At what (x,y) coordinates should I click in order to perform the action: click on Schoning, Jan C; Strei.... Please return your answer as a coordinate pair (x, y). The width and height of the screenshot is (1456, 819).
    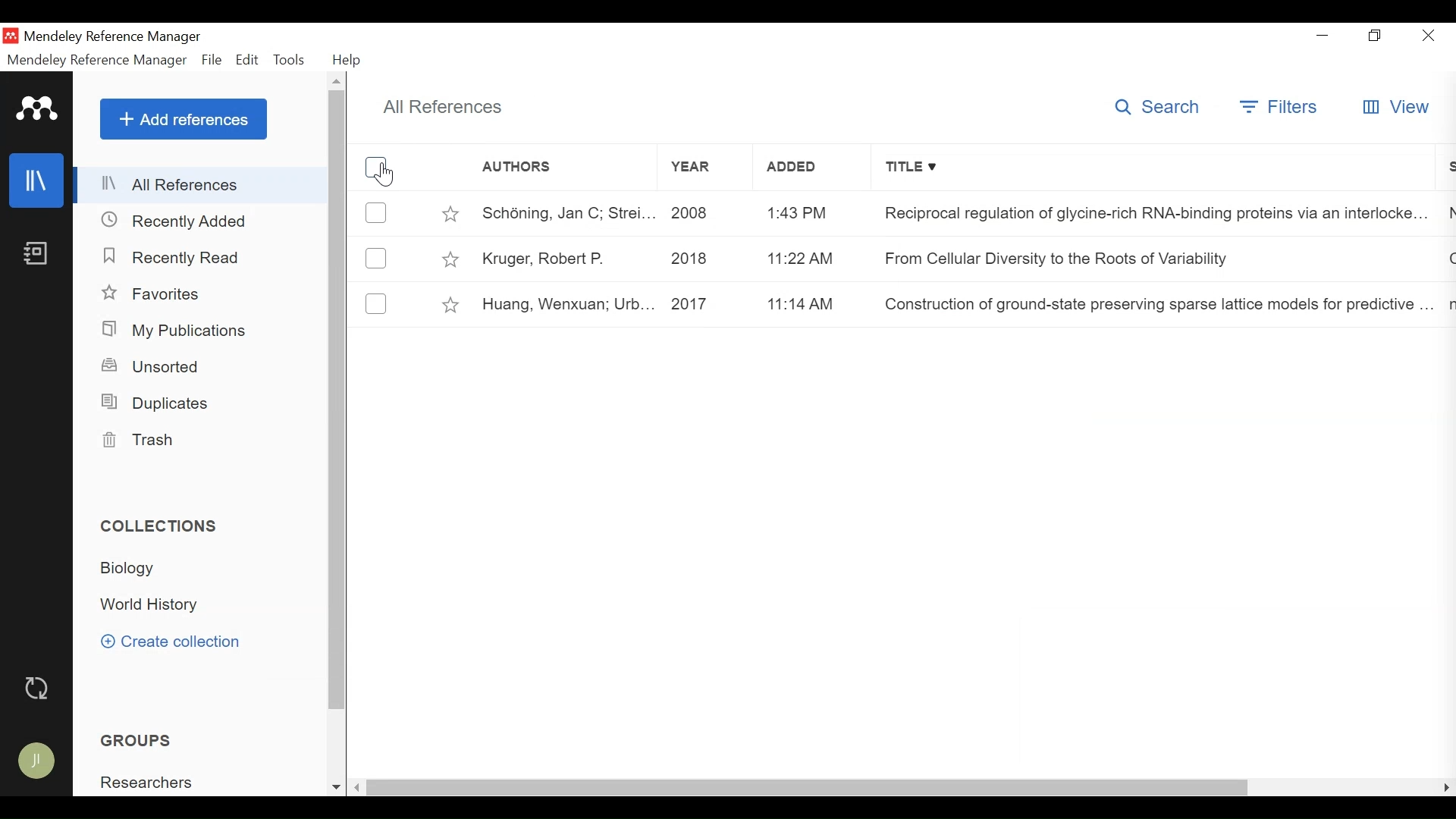
    Looking at the image, I should click on (567, 212).